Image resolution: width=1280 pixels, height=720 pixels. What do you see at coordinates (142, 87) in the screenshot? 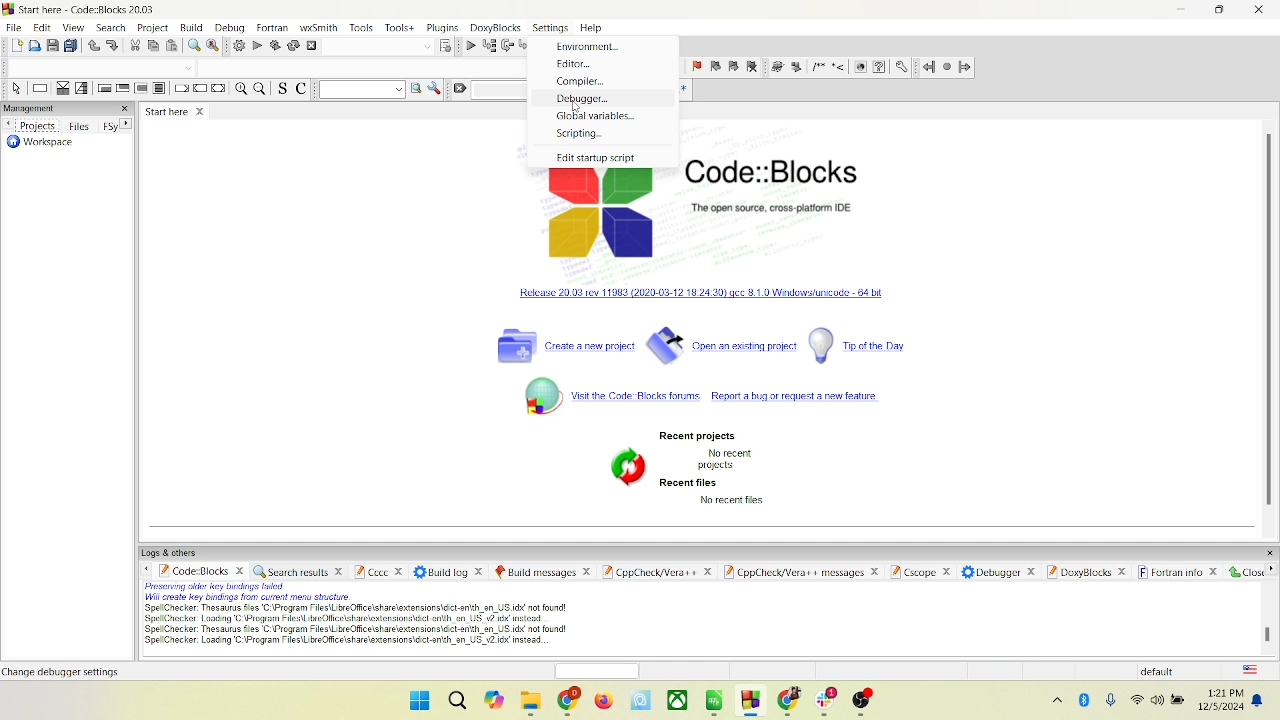
I see `counting loop` at bounding box center [142, 87].